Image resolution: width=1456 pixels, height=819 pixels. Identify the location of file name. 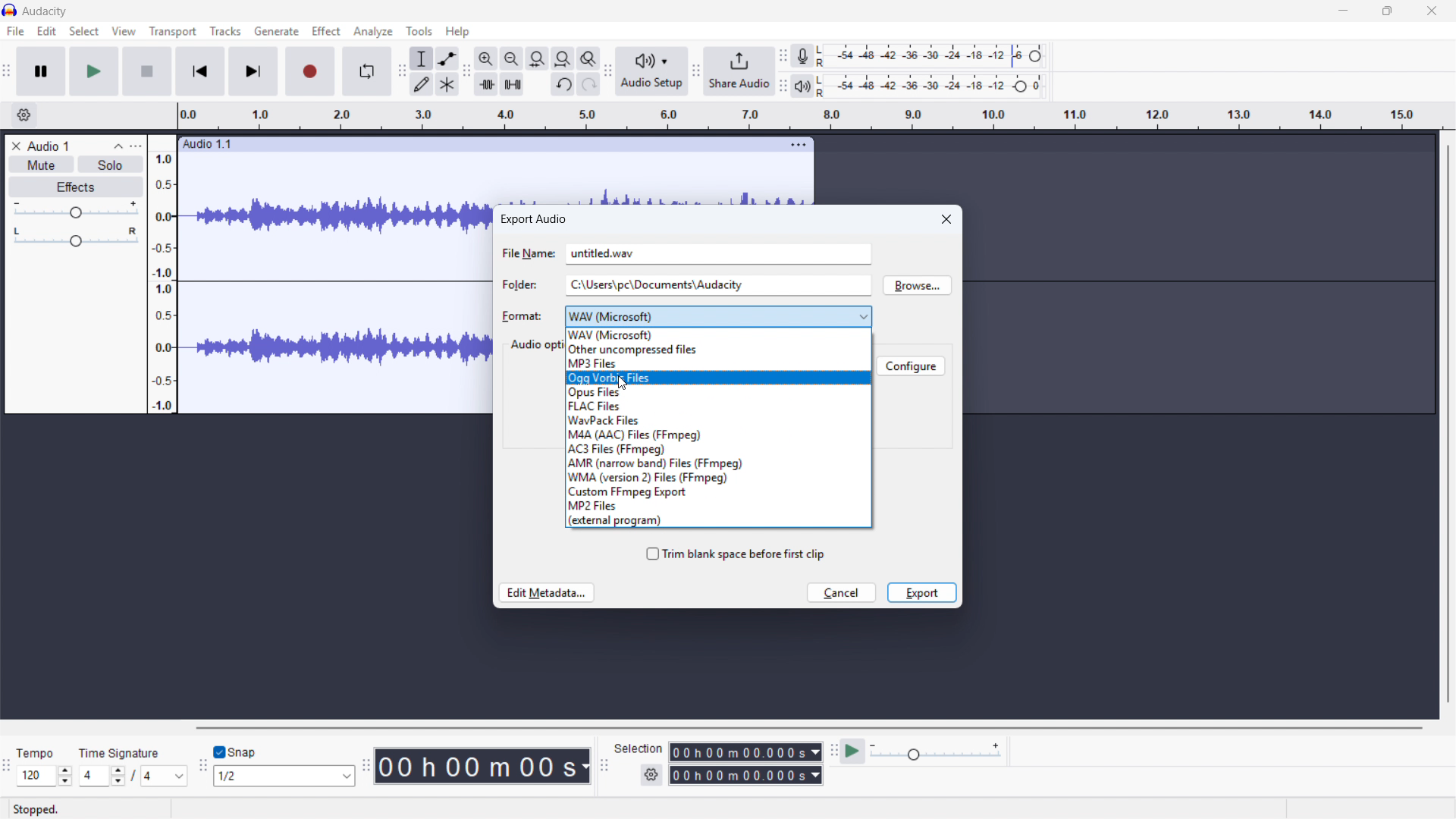
(529, 256).